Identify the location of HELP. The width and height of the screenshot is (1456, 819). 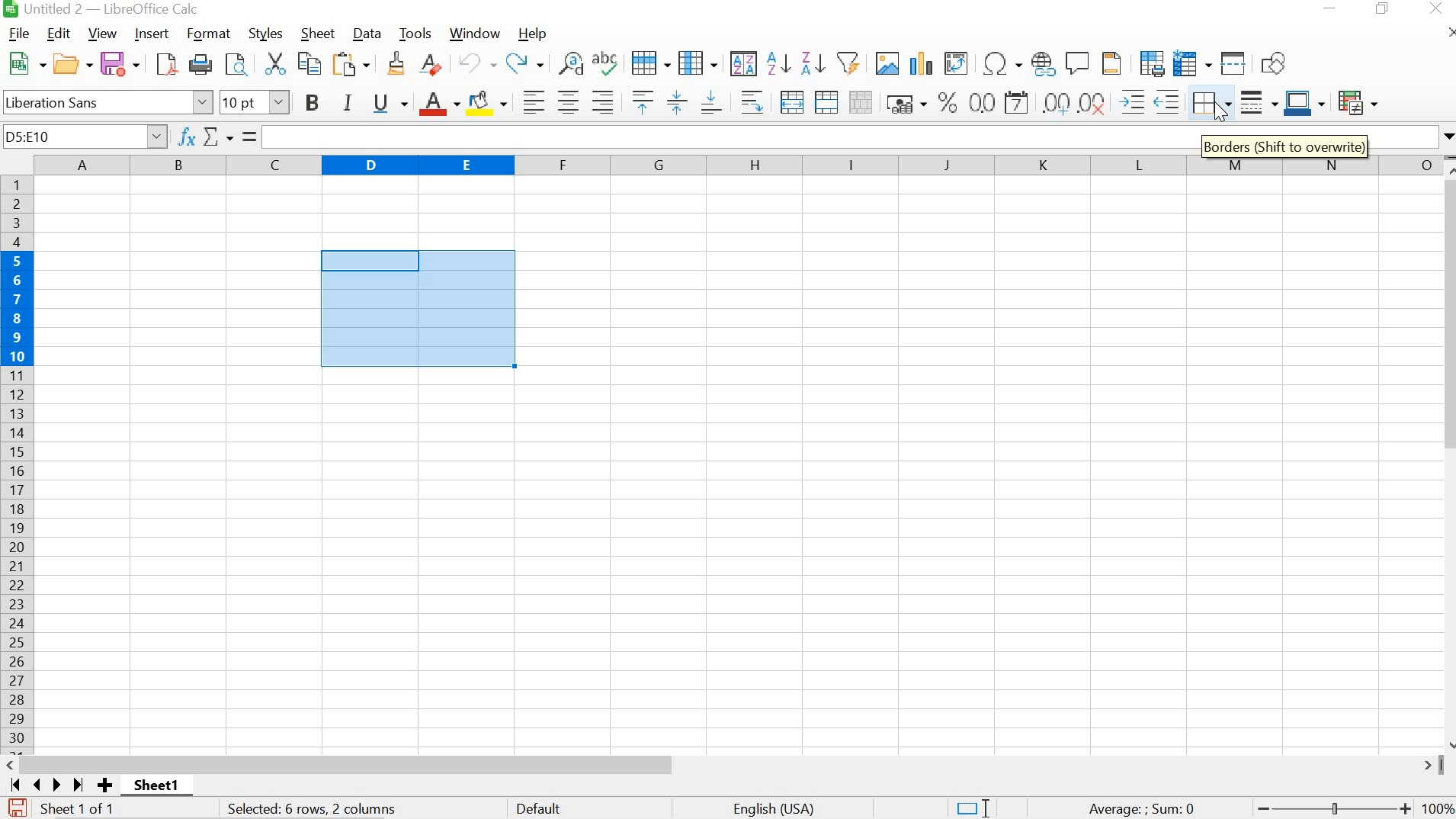
(531, 34).